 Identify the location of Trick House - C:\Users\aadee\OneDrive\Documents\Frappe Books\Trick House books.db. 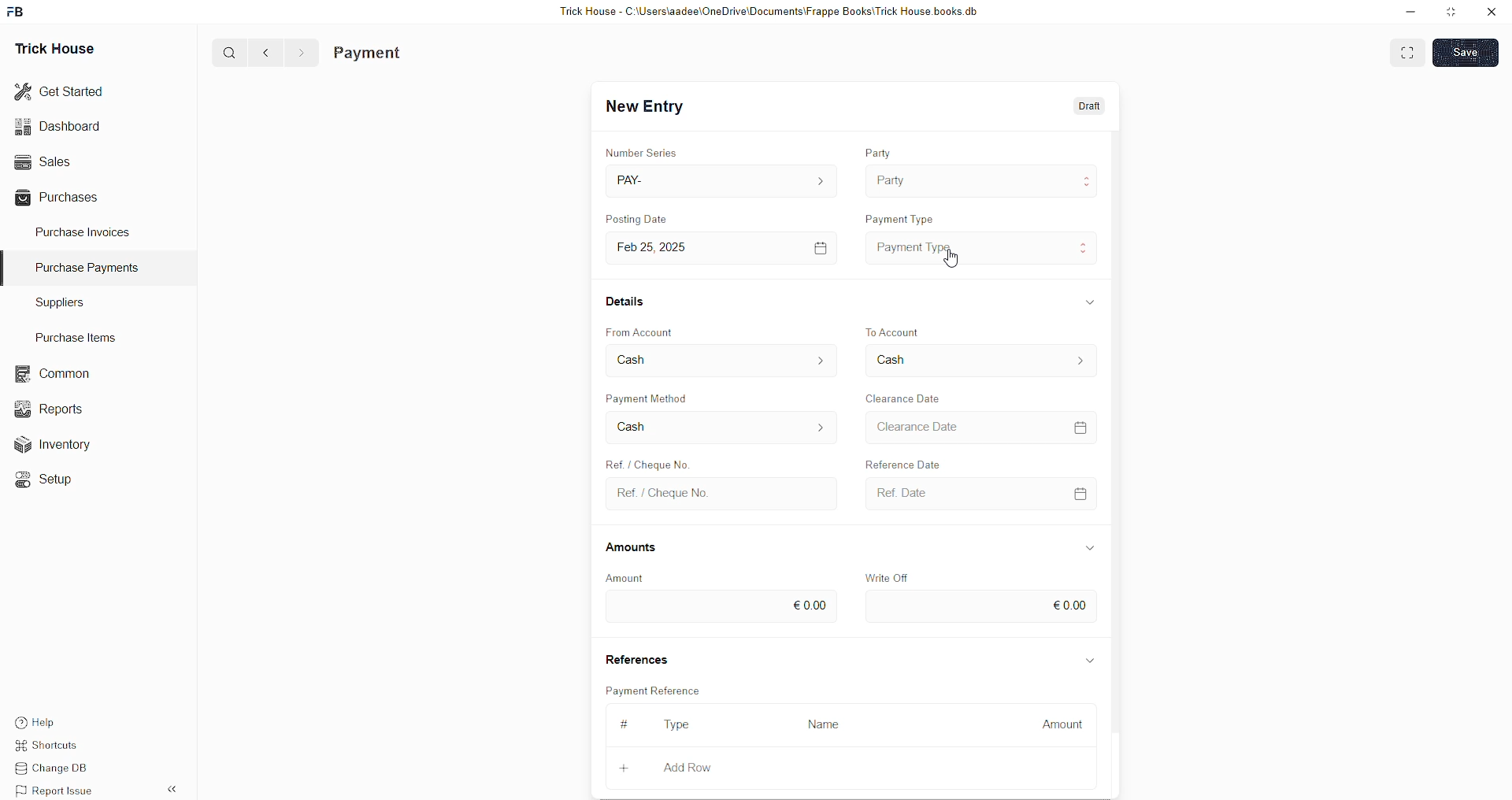
(772, 12).